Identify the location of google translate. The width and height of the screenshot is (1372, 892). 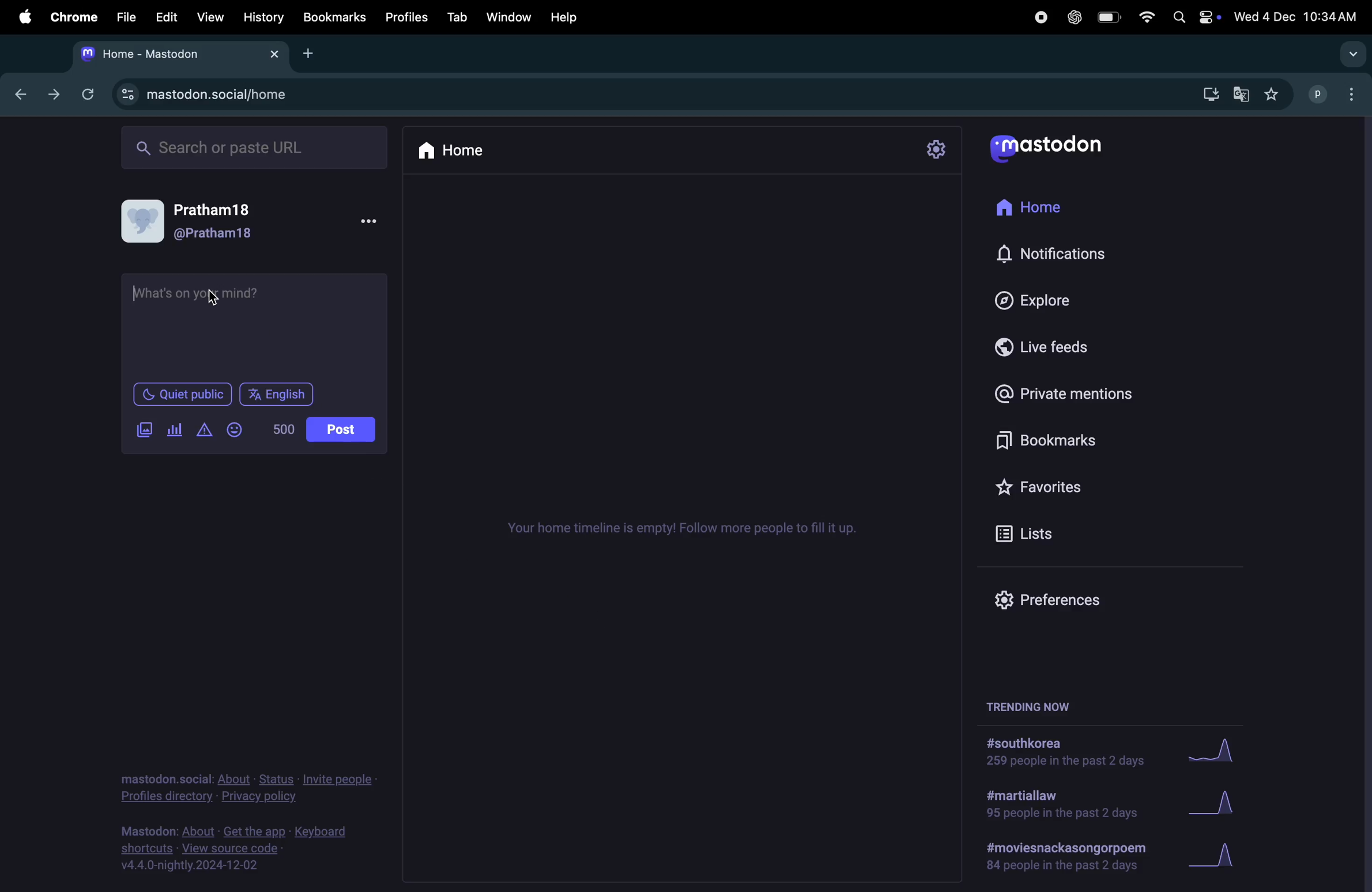
(1239, 94).